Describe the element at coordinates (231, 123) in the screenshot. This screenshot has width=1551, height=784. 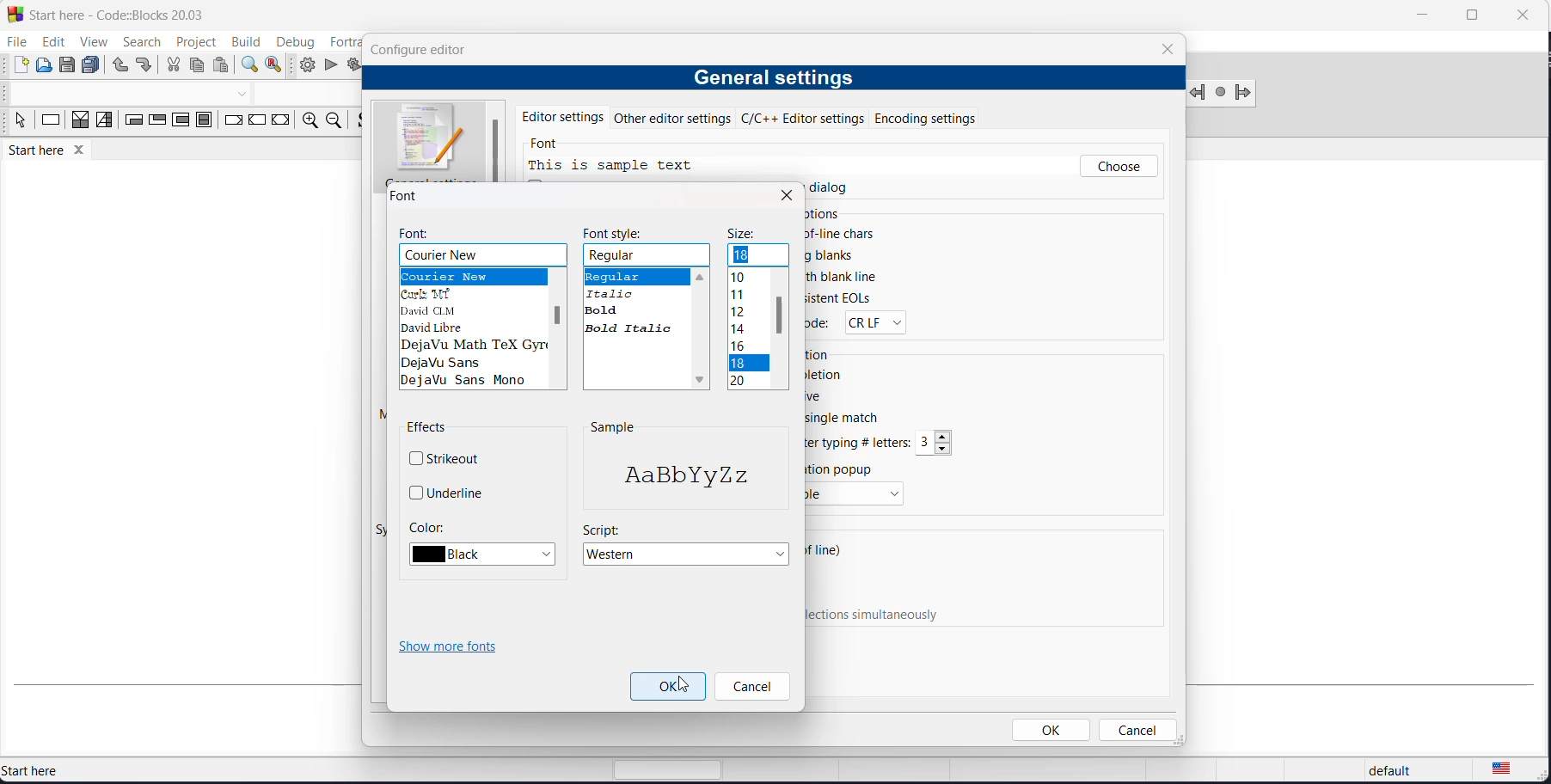
I see `break instruction` at that location.